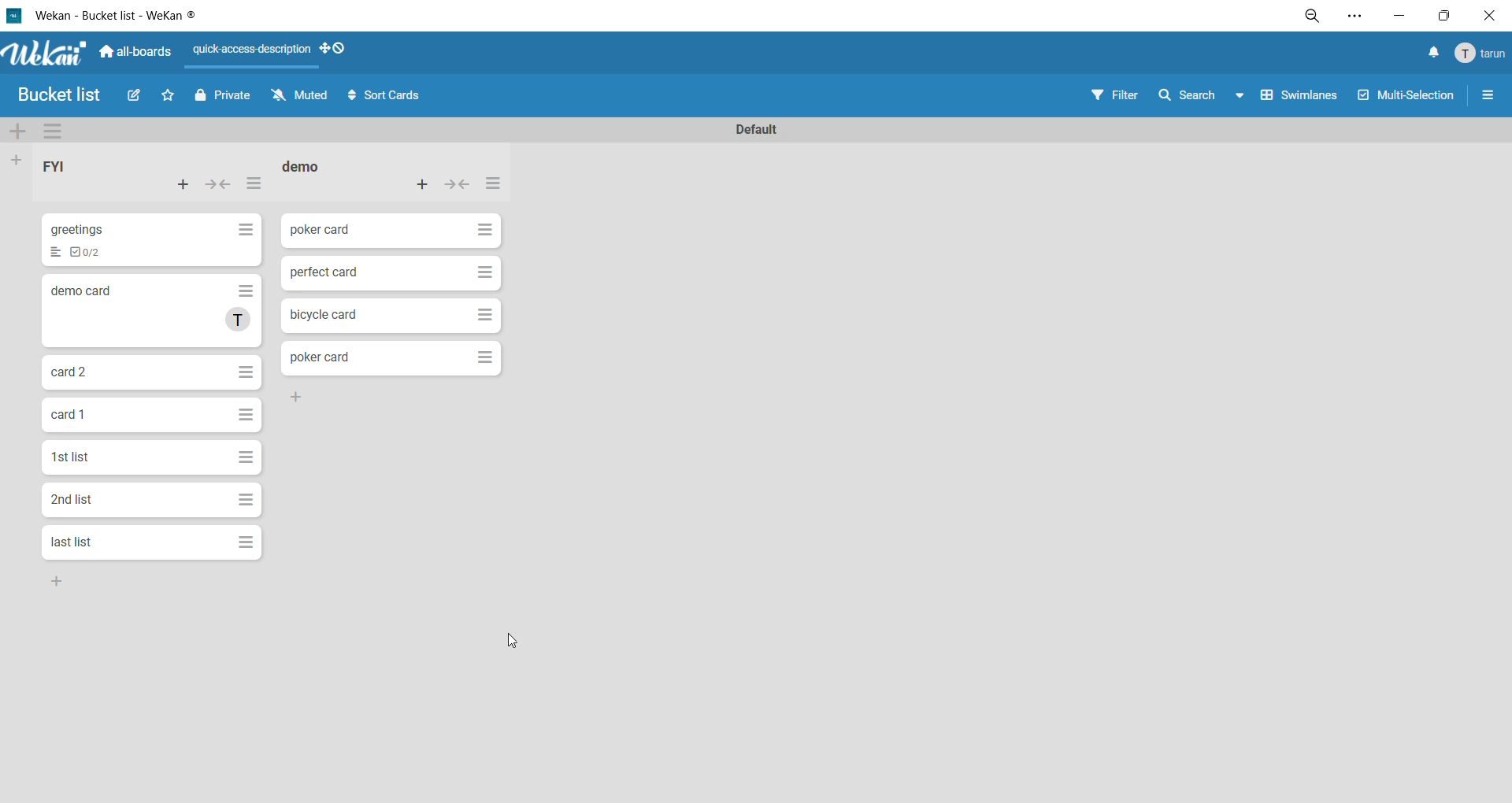 The width and height of the screenshot is (1512, 803). Describe the element at coordinates (245, 543) in the screenshot. I see `Hamburger` at that location.